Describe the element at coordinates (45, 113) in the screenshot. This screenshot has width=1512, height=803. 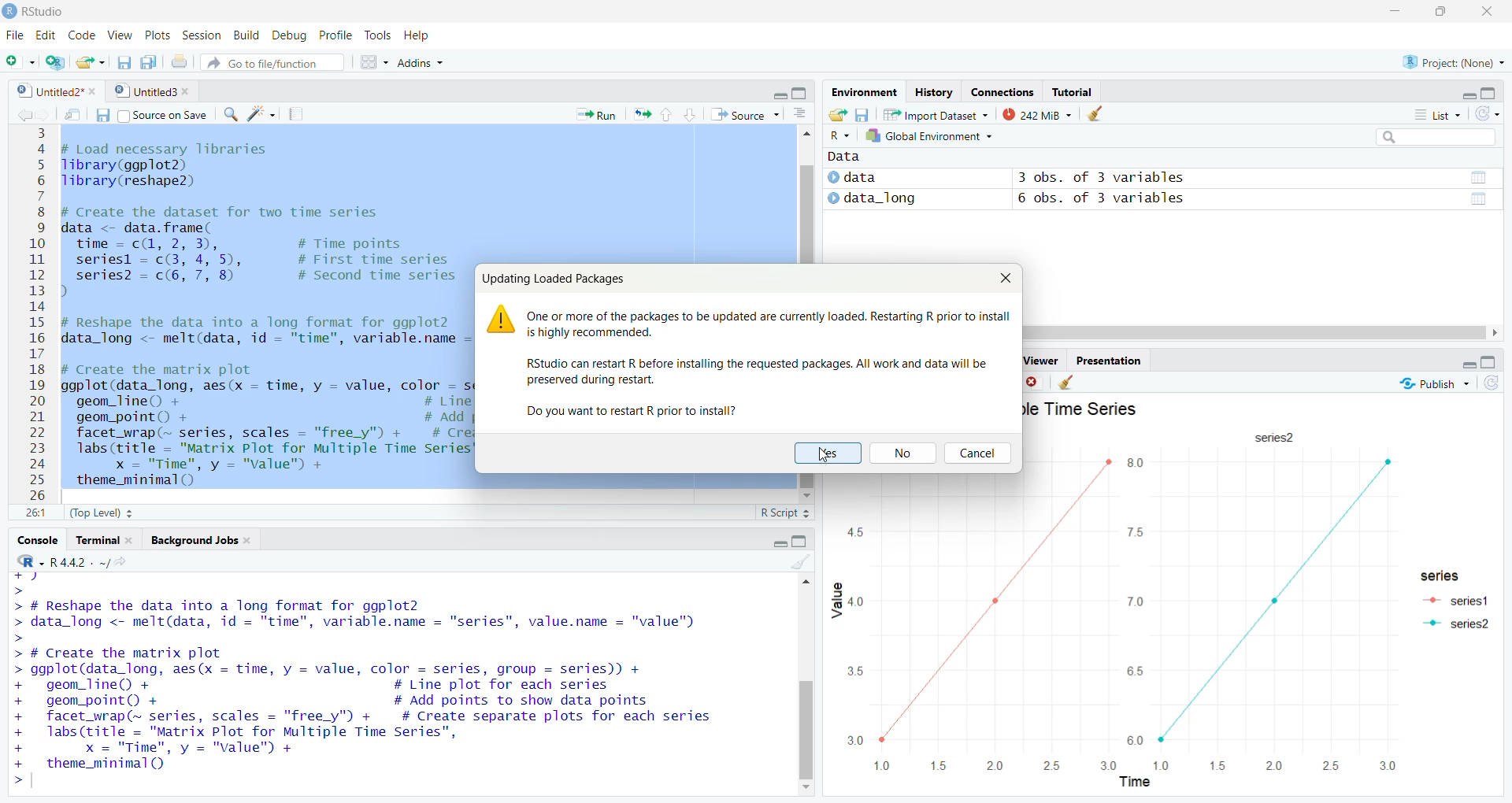
I see `move forward` at that location.